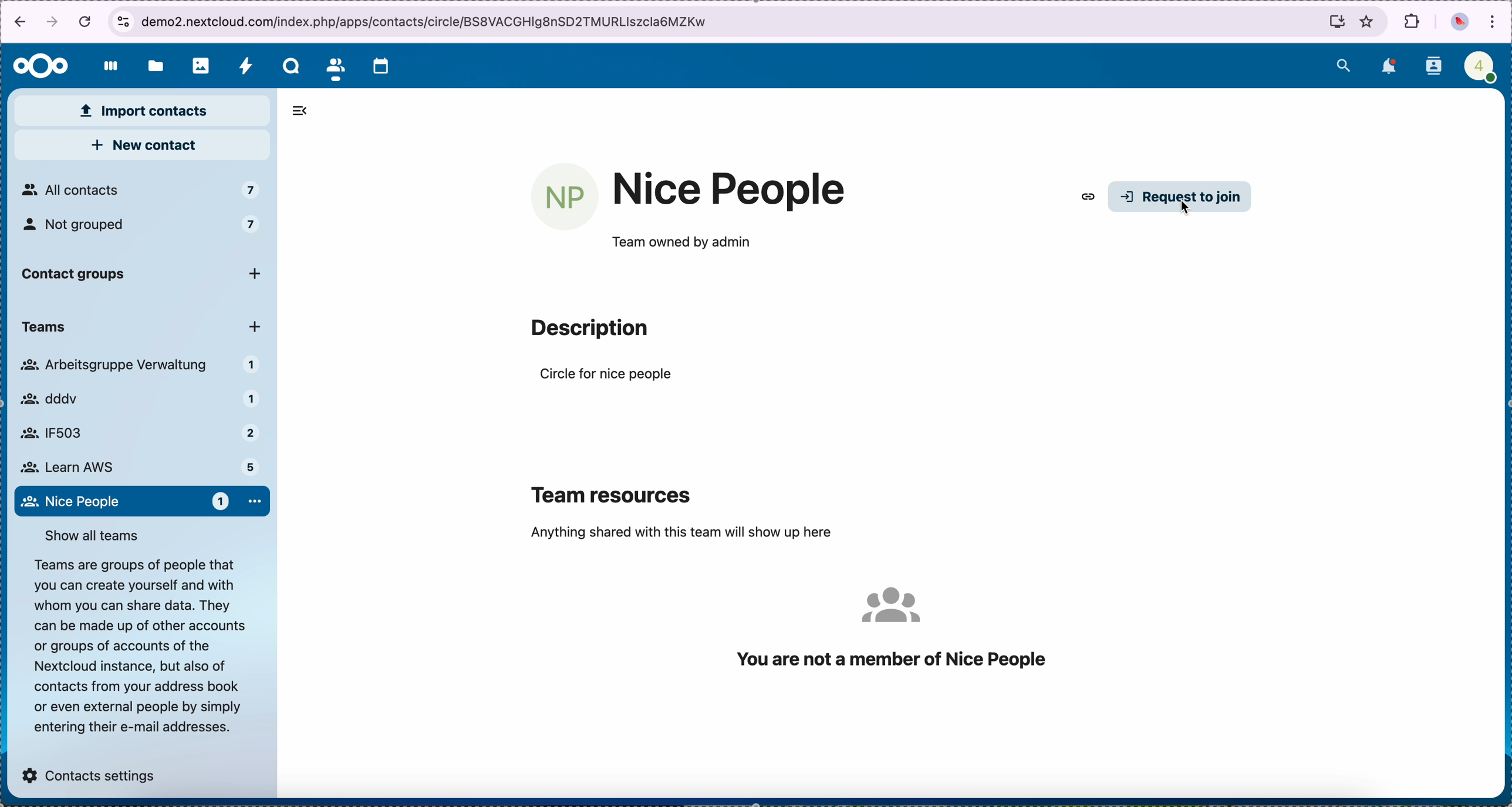  Describe the element at coordinates (1181, 198) in the screenshot. I see `click on request to join button` at that location.